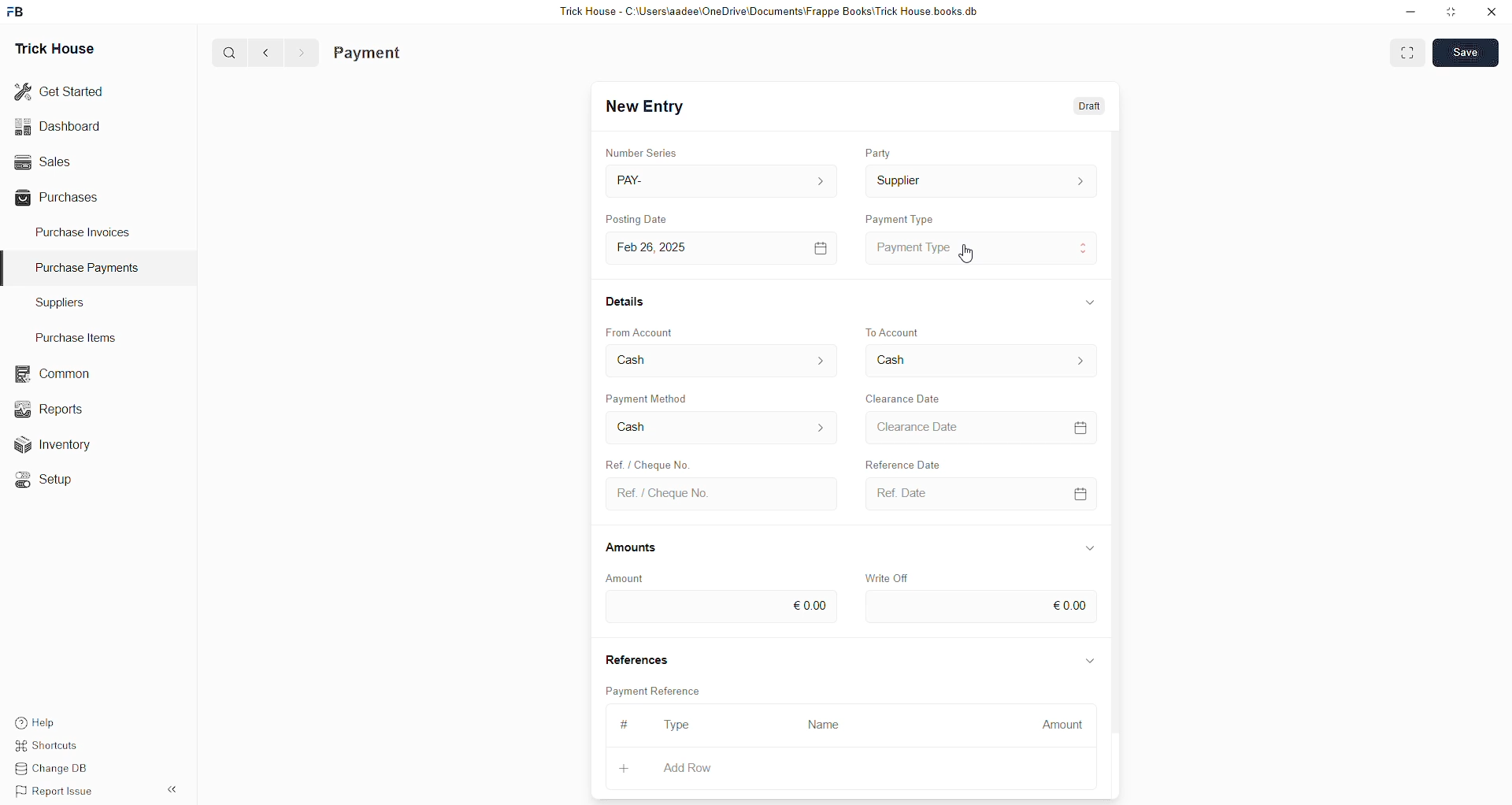 The height and width of the screenshot is (805, 1512). Describe the element at coordinates (888, 574) in the screenshot. I see `Write Off` at that location.